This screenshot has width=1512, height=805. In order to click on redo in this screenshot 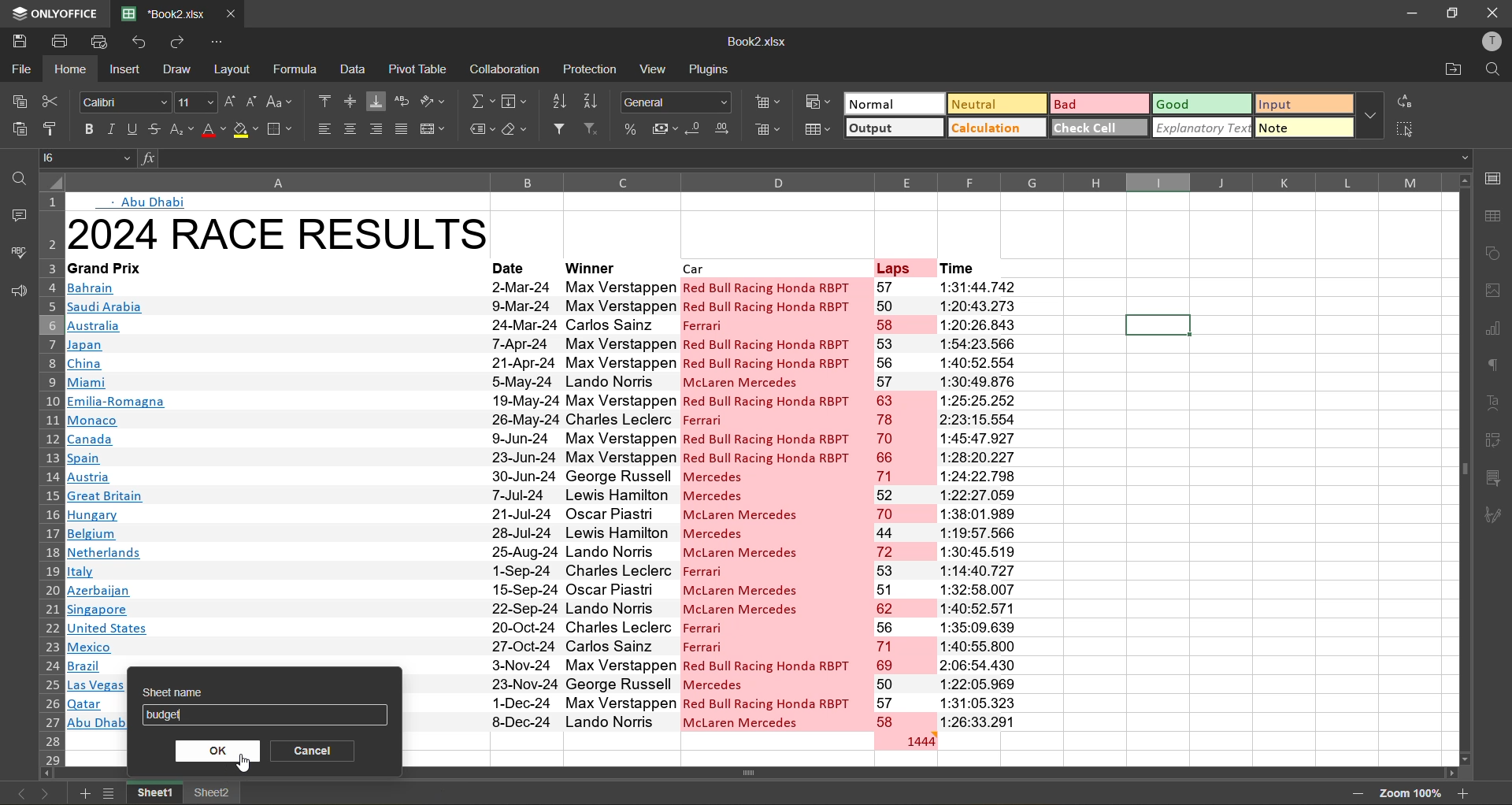, I will do `click(183, 42)`.